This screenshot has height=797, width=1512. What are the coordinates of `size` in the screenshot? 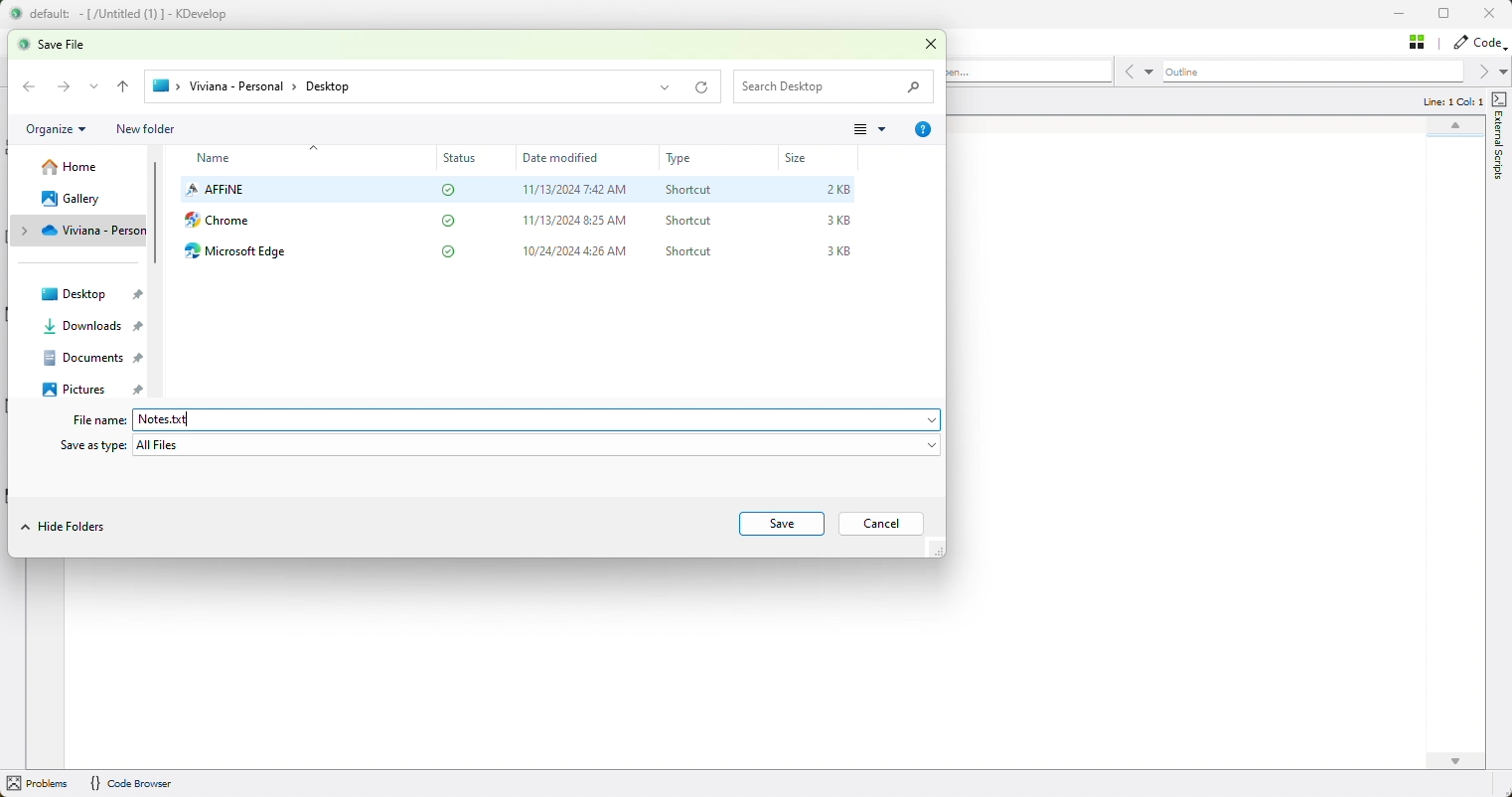 It's located at (805, 158).